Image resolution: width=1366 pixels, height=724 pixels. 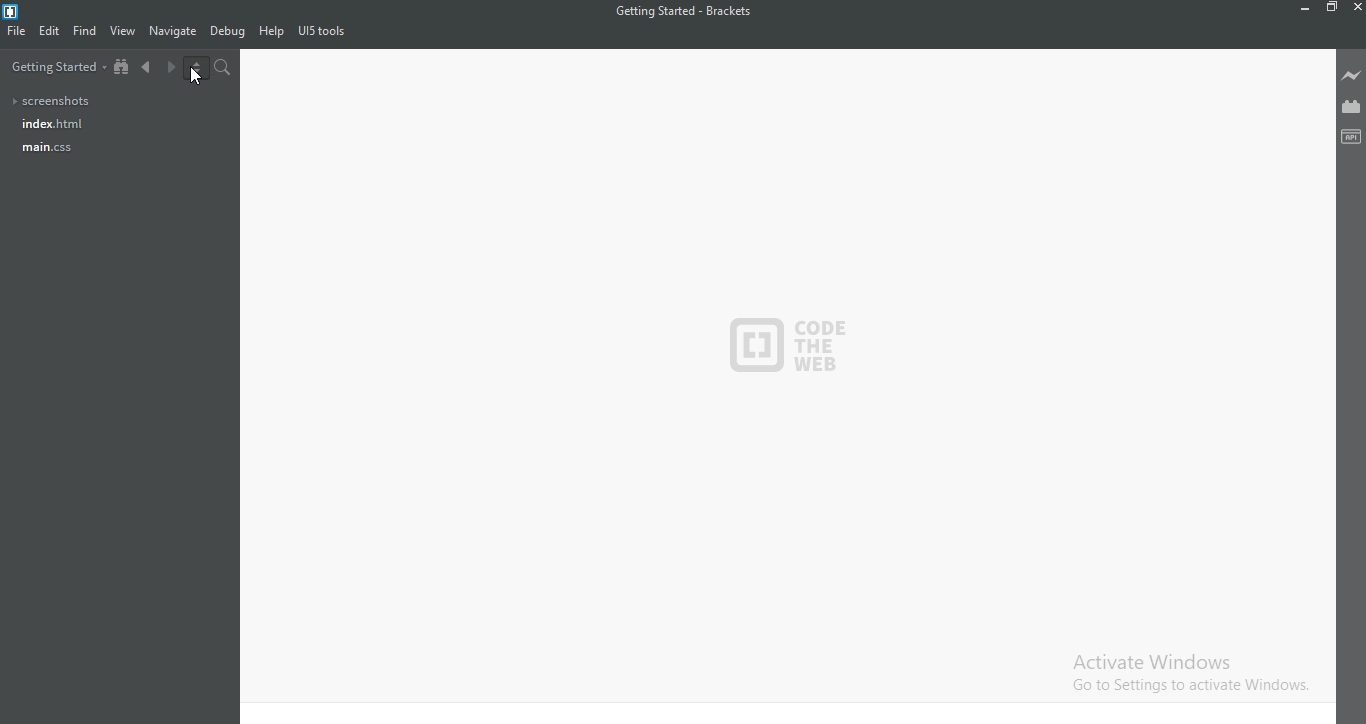 I want to click on toolbox, so click(x=1352, y=137).